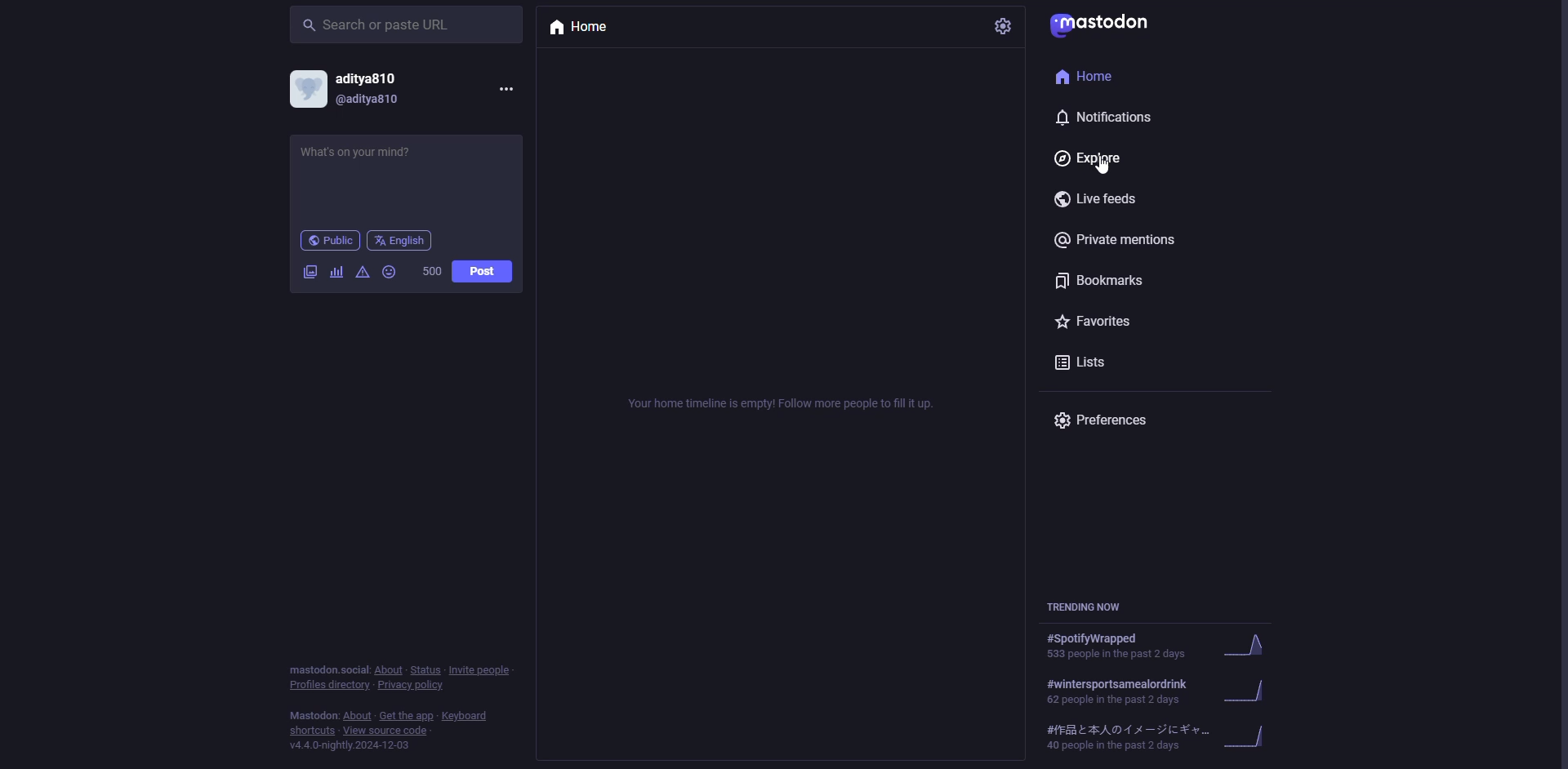  I want to click on live feeds, so click(1102, 198).